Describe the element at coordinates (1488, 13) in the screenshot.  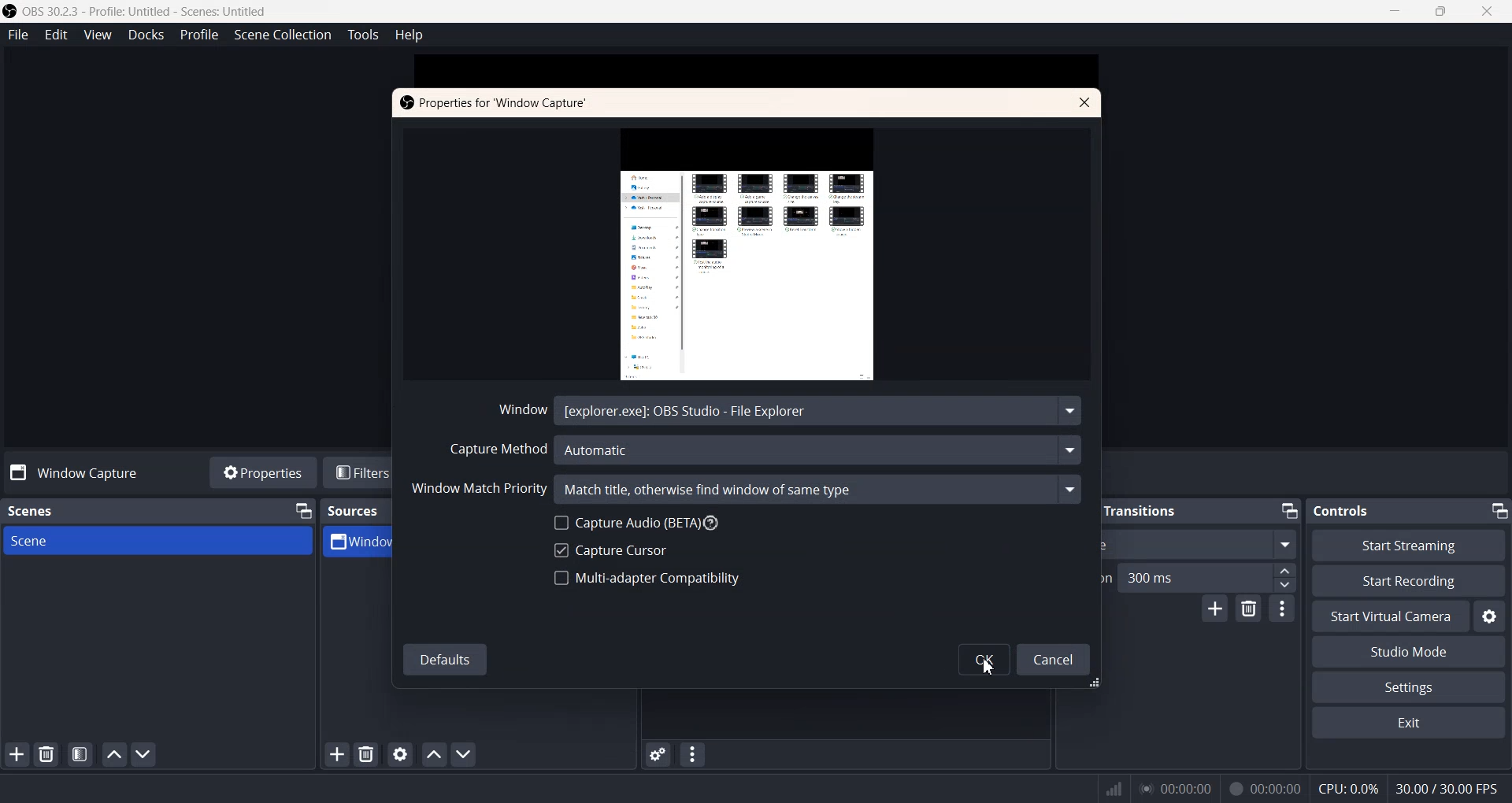
I see `Close` at that location.